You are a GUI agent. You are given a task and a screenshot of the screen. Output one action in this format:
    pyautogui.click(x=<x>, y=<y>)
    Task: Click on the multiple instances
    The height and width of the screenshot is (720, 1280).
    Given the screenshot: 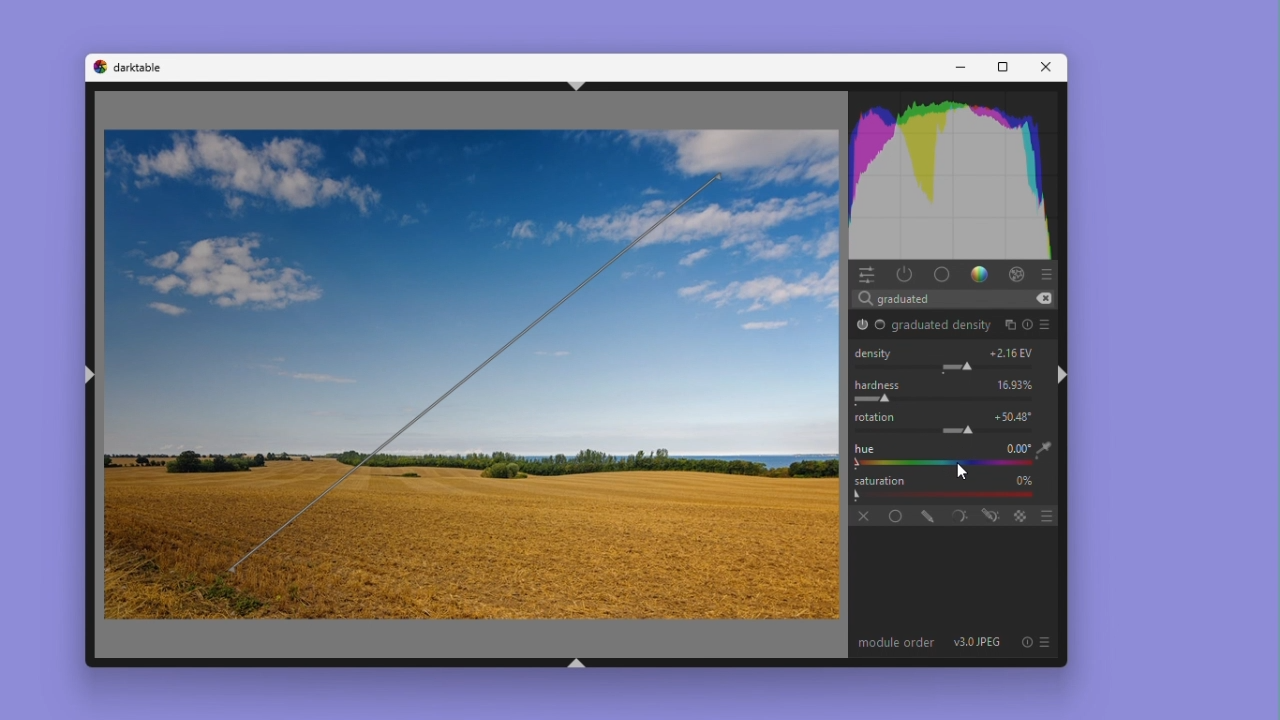 What is the action you would take?
    pyautogui.click(x=1009, y=323)
    